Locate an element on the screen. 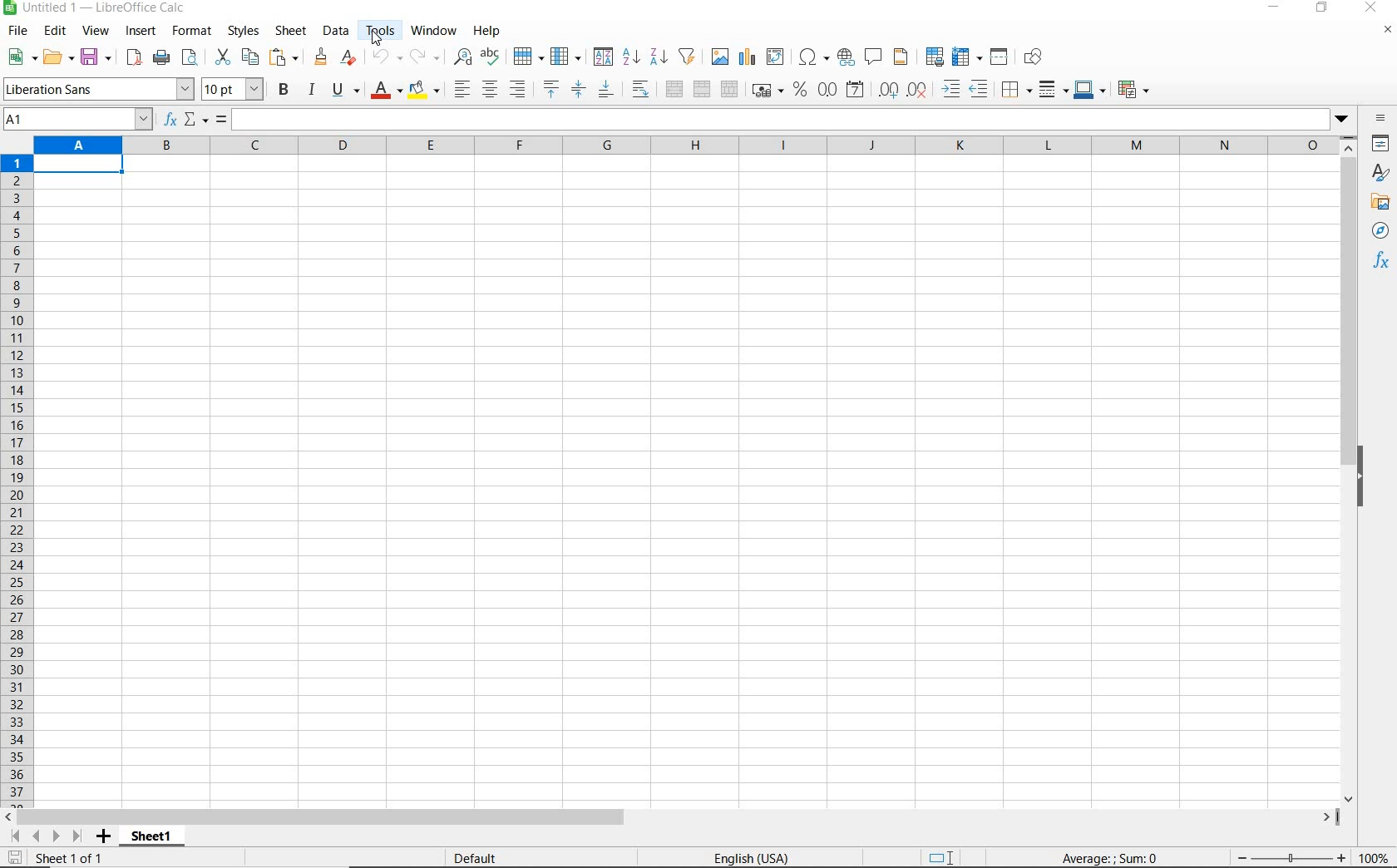 This screenshot has height=868, width=1397. find & replace is located at coordinates (461, 58).